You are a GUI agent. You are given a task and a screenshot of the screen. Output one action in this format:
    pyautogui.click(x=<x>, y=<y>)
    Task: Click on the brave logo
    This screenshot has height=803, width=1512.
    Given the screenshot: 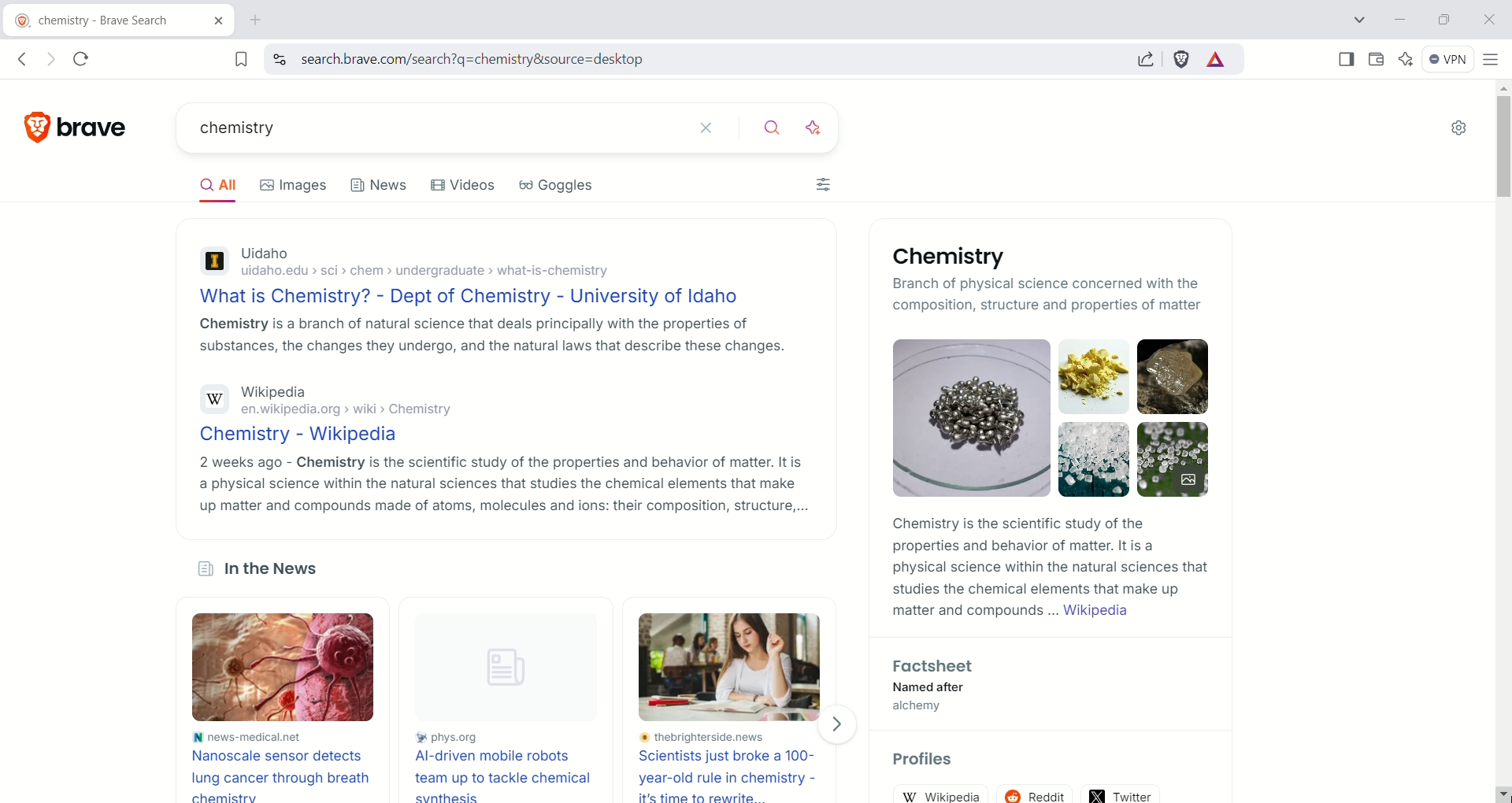 What is the action you would take?
    pyautogui.click(x=39, y=124)
    